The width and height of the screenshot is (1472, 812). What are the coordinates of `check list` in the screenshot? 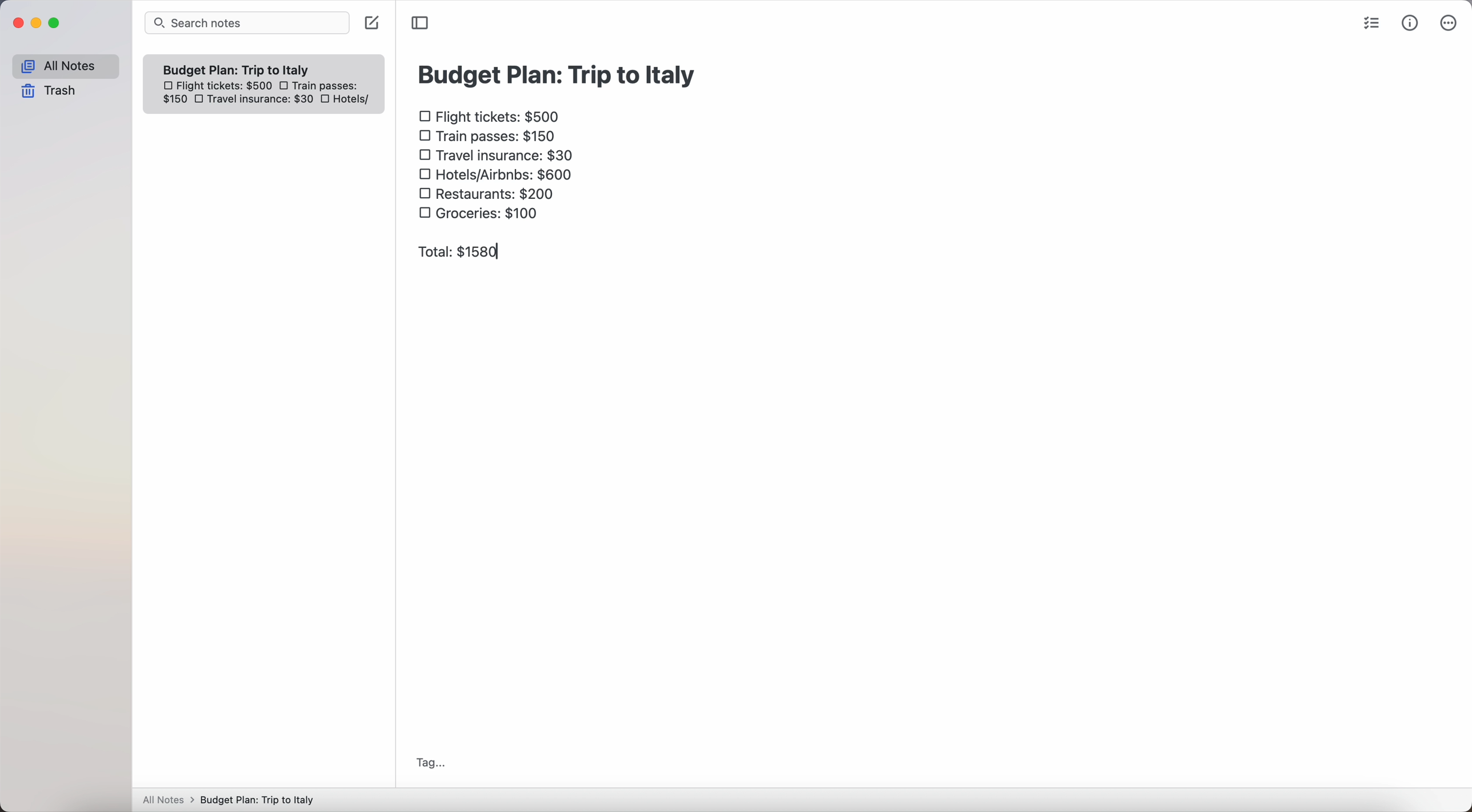 It's located at (1375, 25).